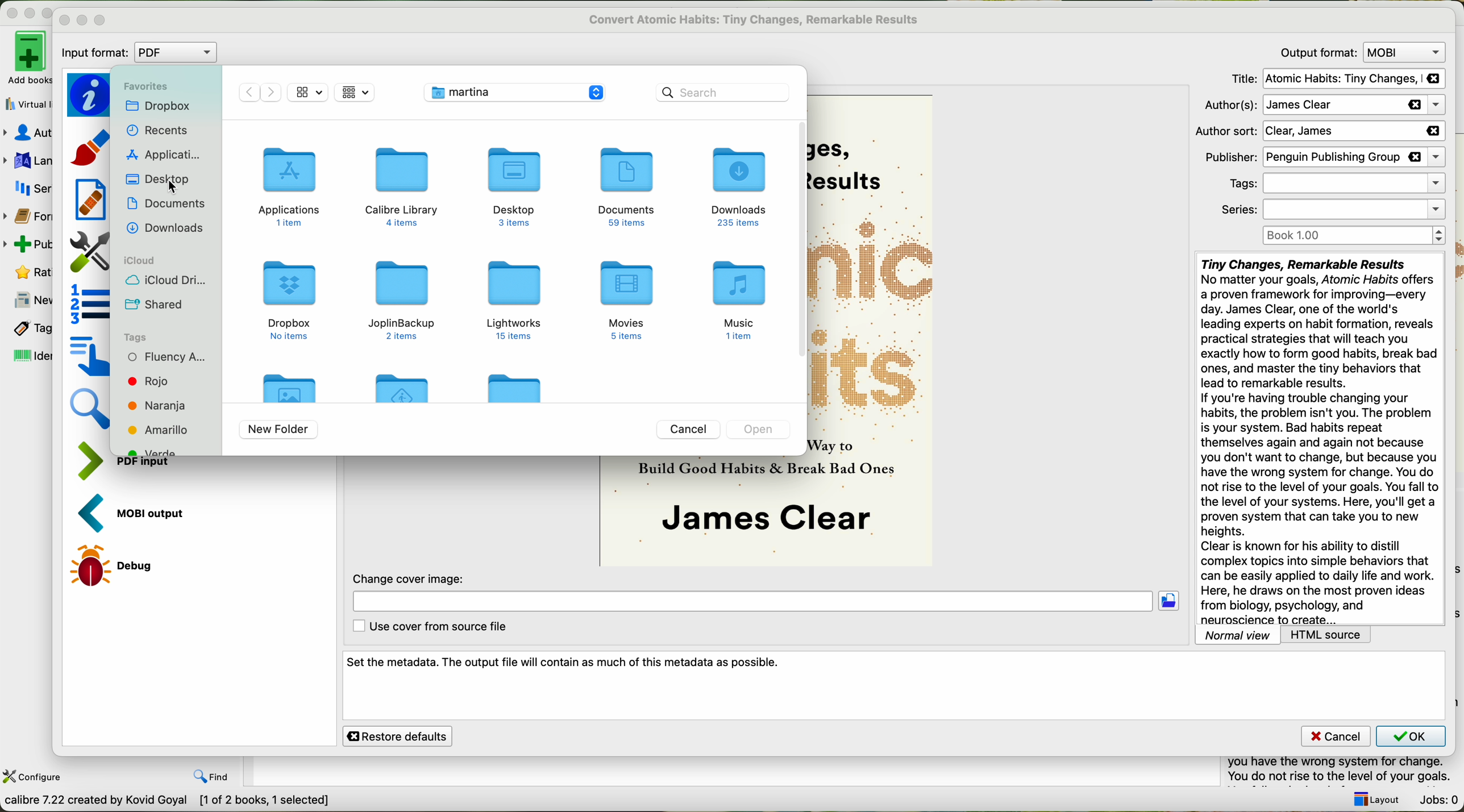  Describe the element at coordinates (514, 93) in the screenshot. I see `location` at that location.